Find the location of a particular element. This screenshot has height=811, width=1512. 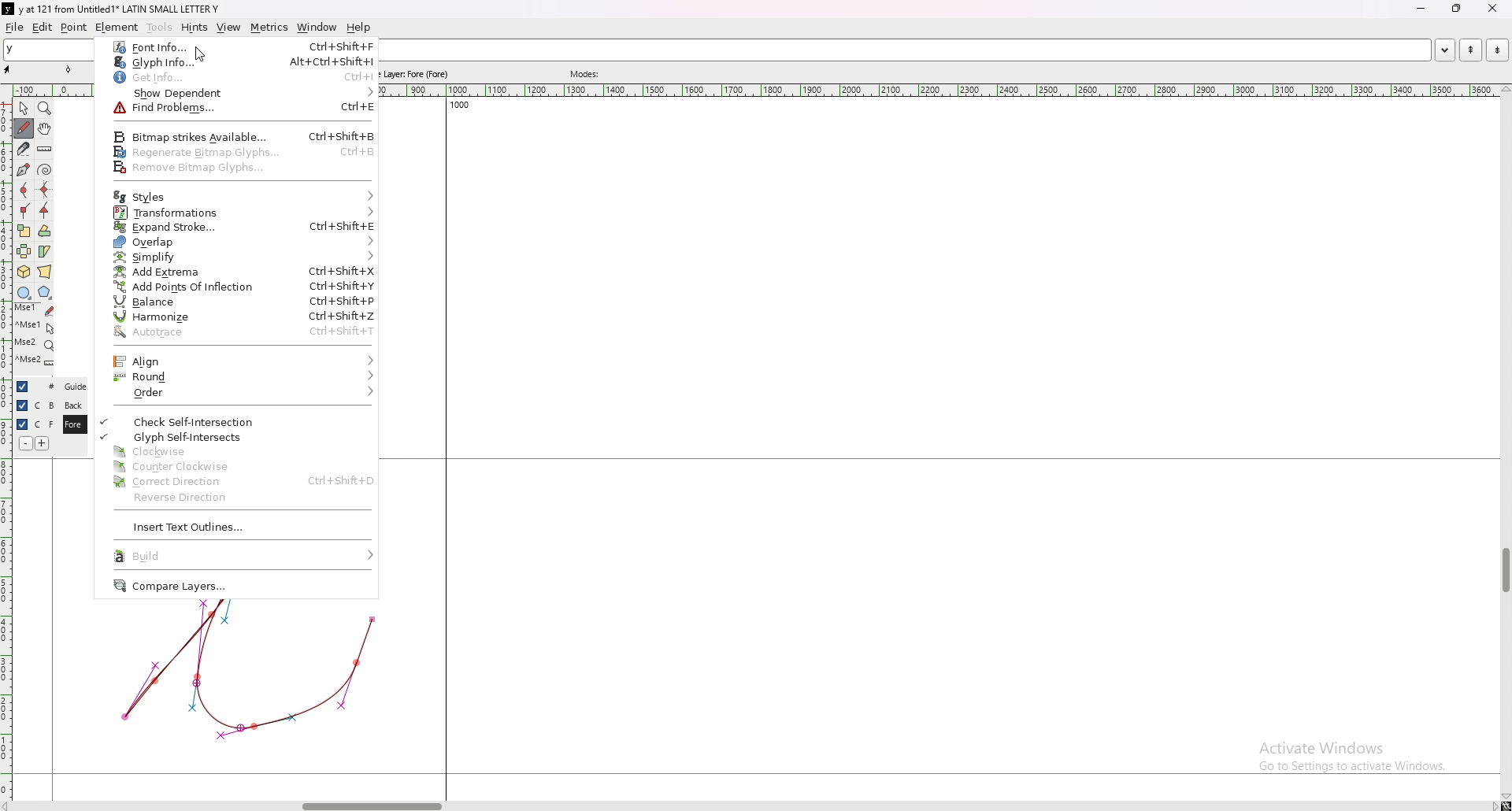

expand stroke is located at coordinates (237, 228).